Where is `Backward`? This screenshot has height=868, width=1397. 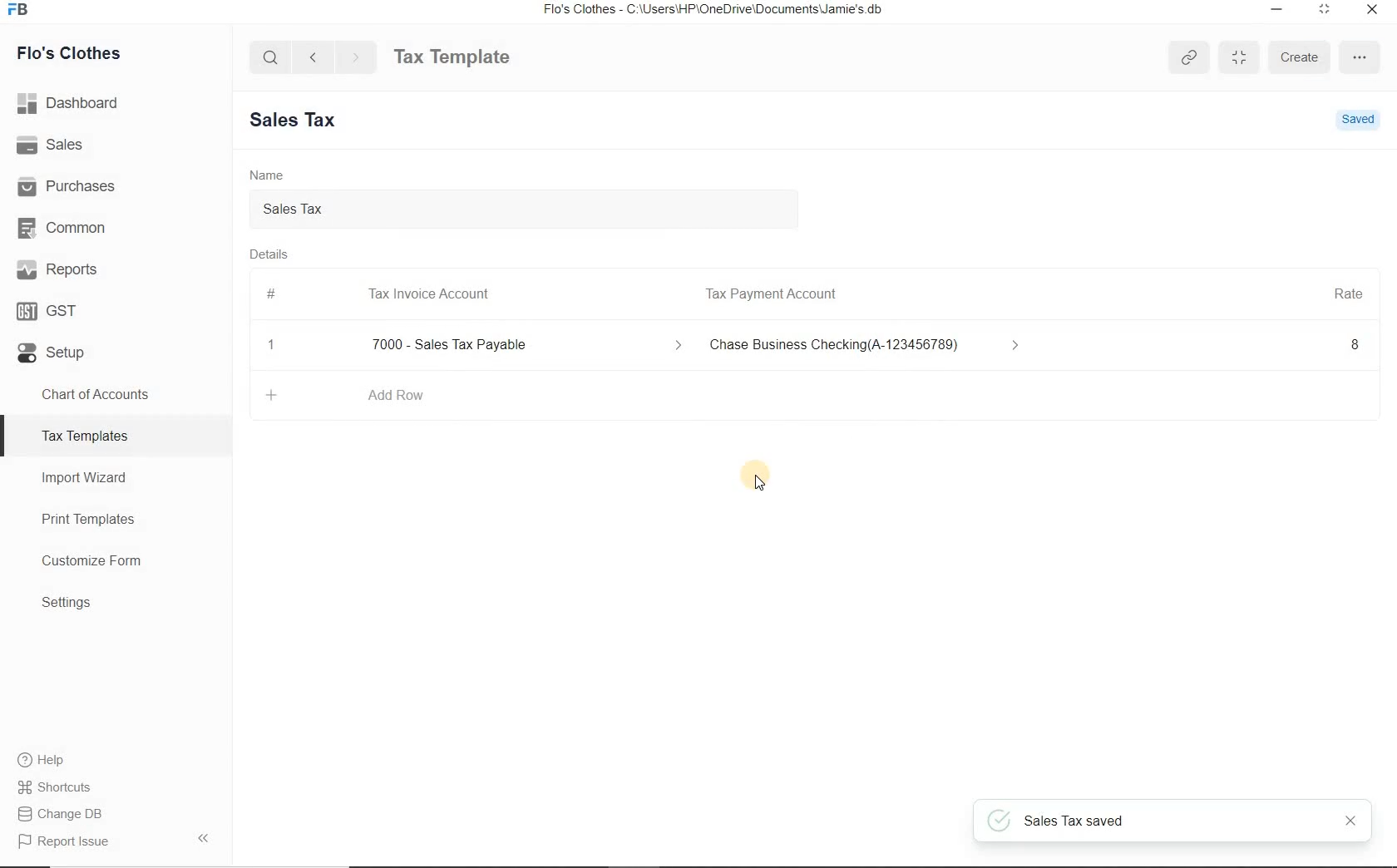 Backward is located at coordinates (313, 56).